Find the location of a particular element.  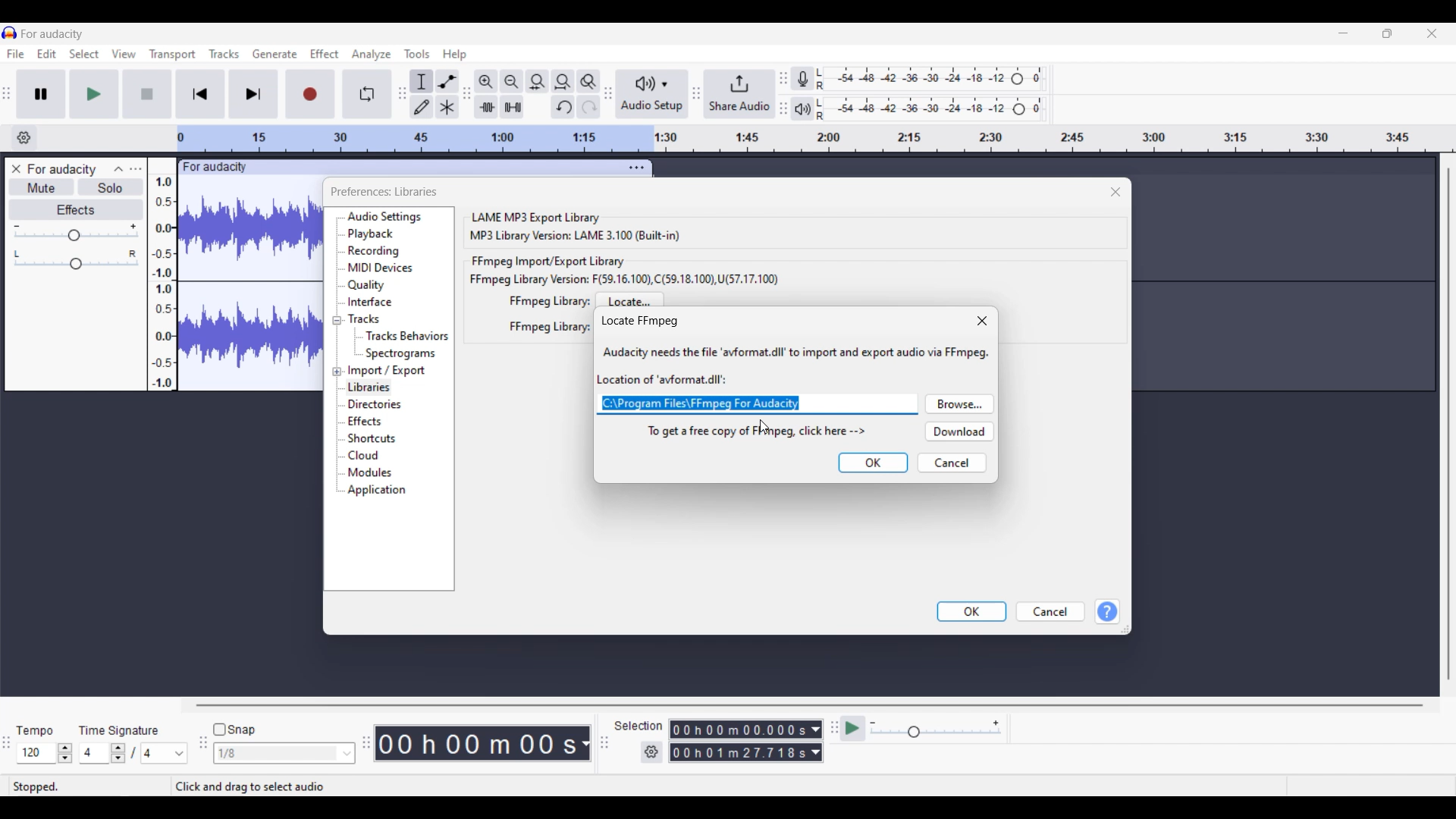

Close is located at coordinates (1116, 192).